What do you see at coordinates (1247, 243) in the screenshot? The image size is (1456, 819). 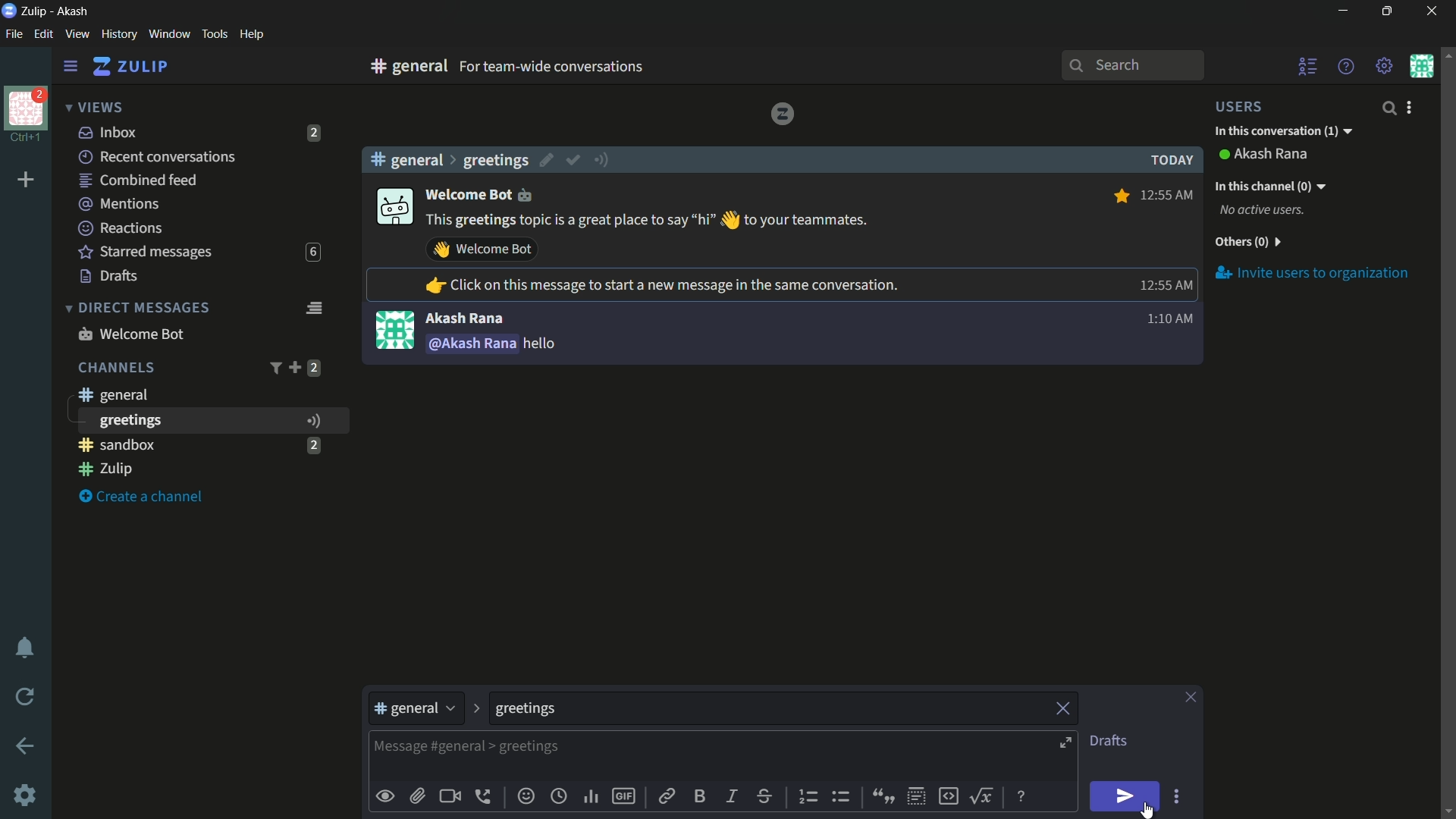 I see `others (0)` at bounding box center [1247, 243].